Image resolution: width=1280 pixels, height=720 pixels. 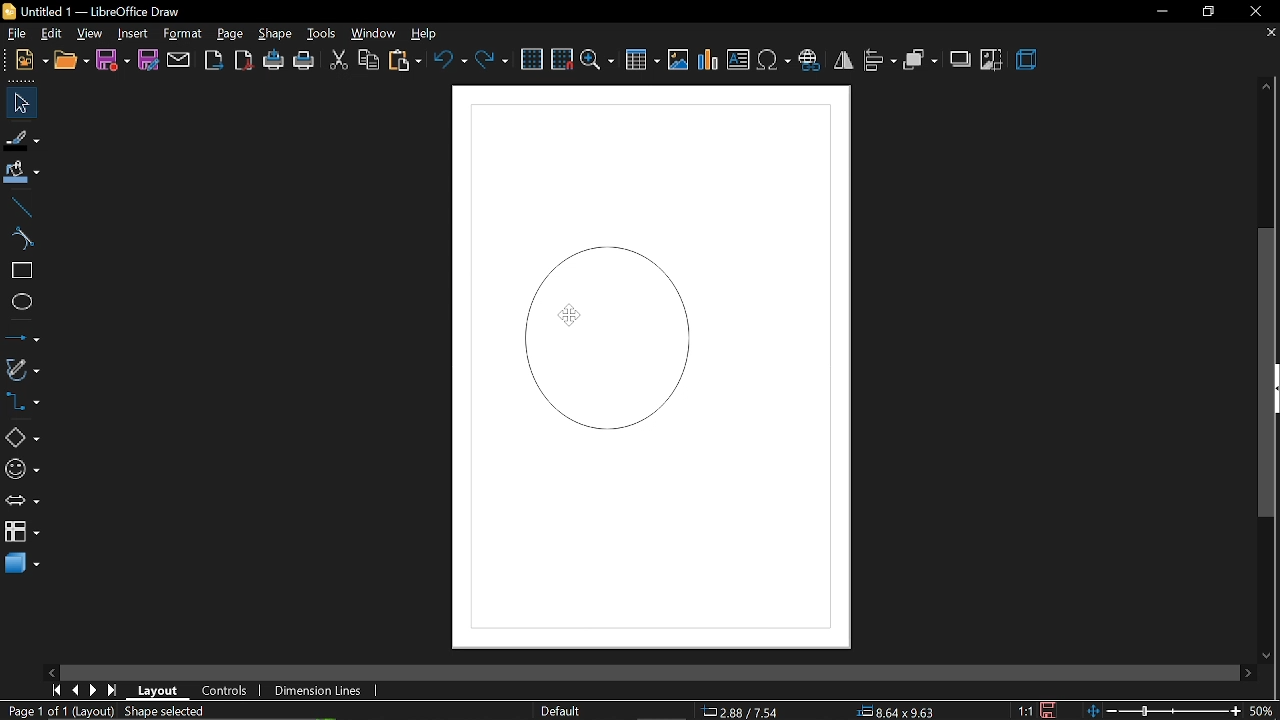 I want to click on move right, so click(x=1250, y=671).